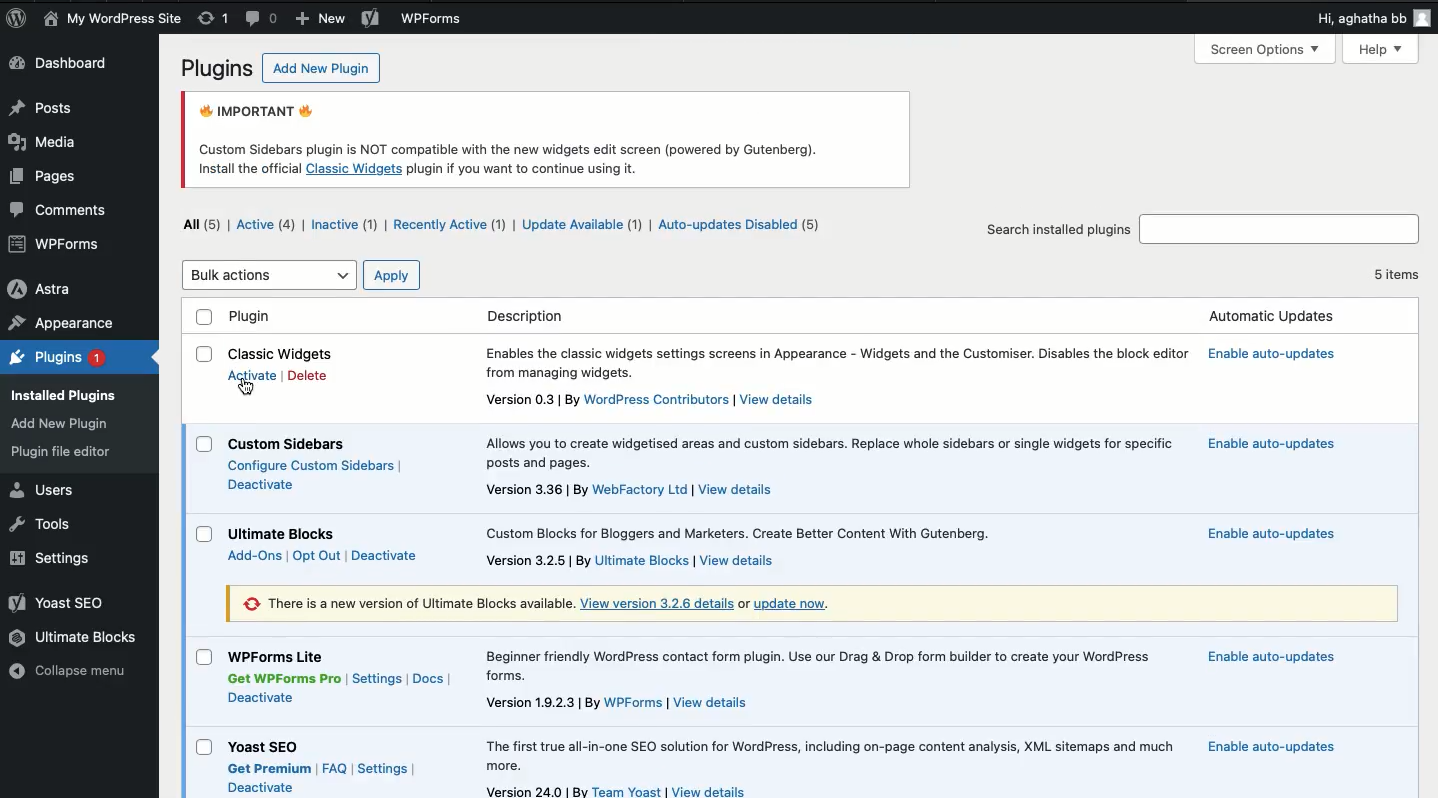 Image resolution: width=1438 pixels, height=798 pixels. I want to click on view details, so click(778, 398).